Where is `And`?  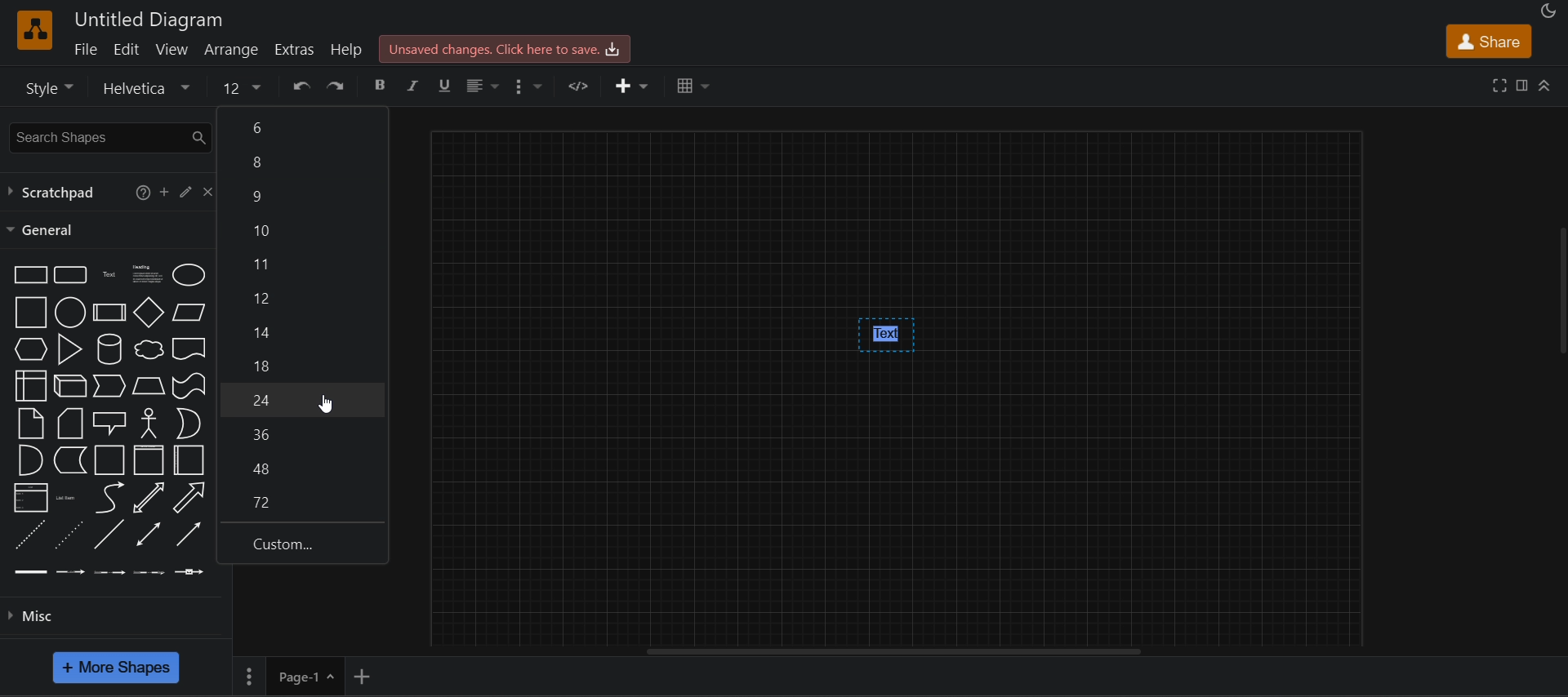 And is located at coordinates (32, 460).